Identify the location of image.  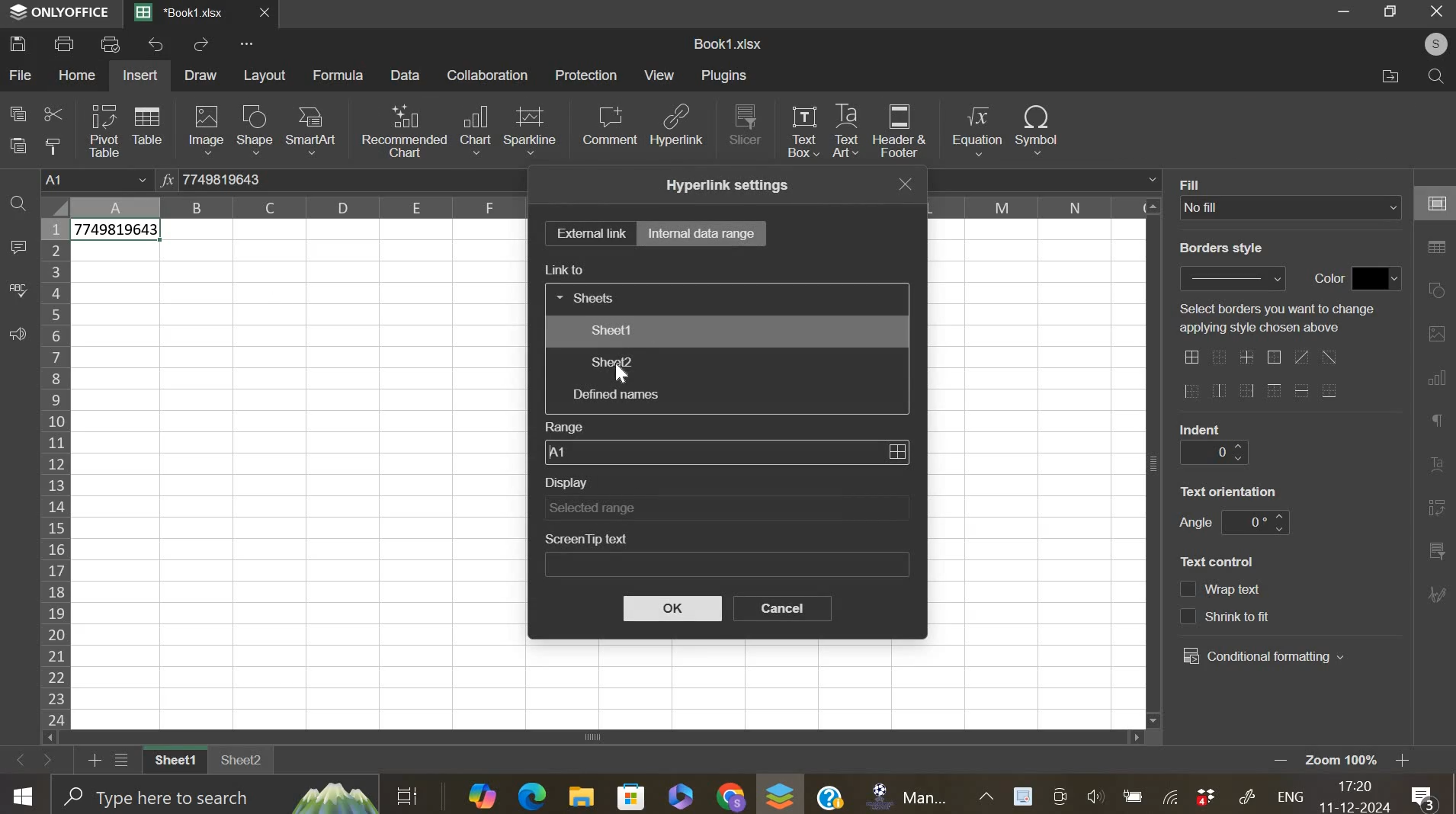
(207, 129).